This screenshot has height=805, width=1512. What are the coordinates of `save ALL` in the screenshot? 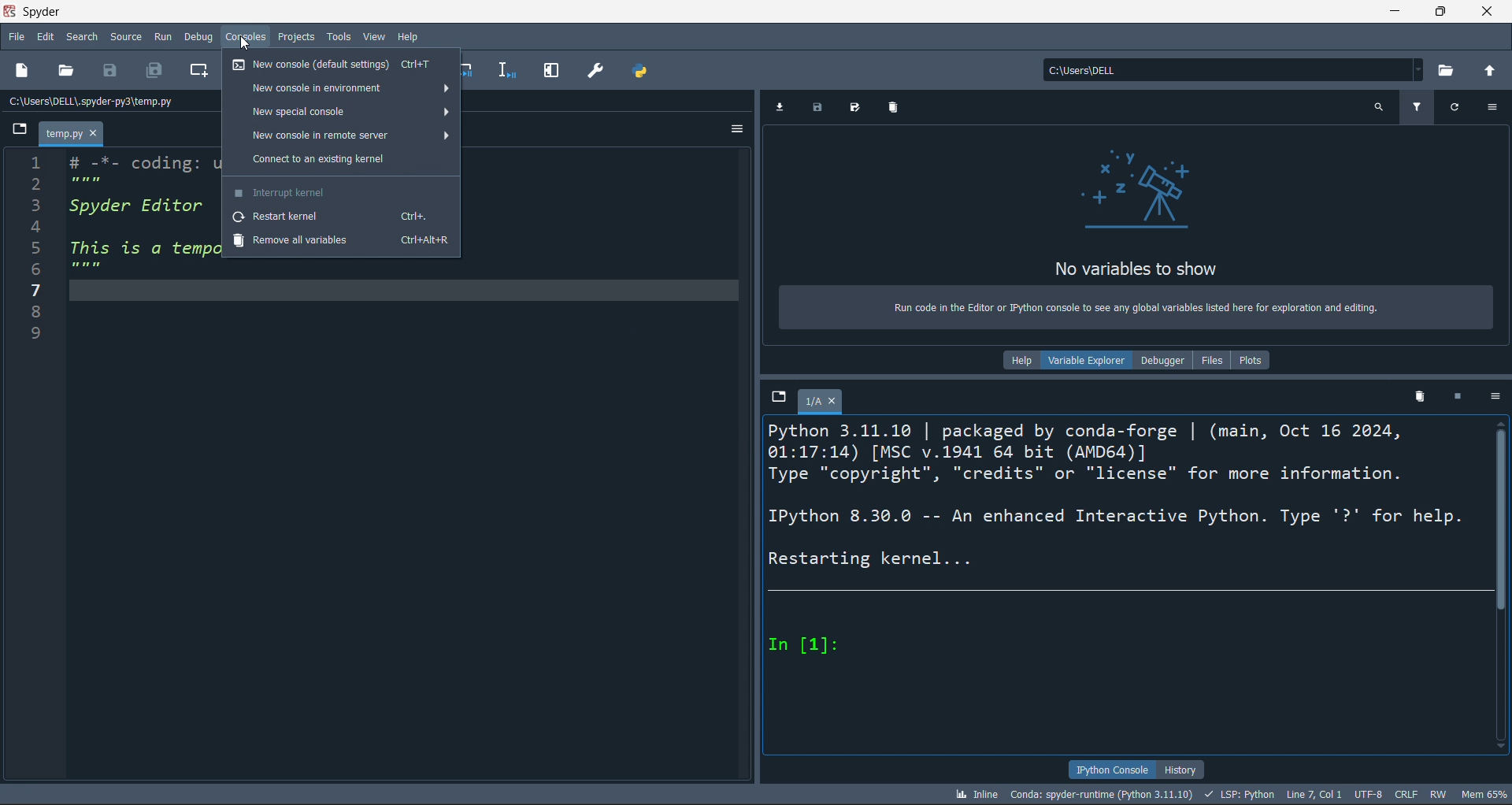 It's located at (154, 72).